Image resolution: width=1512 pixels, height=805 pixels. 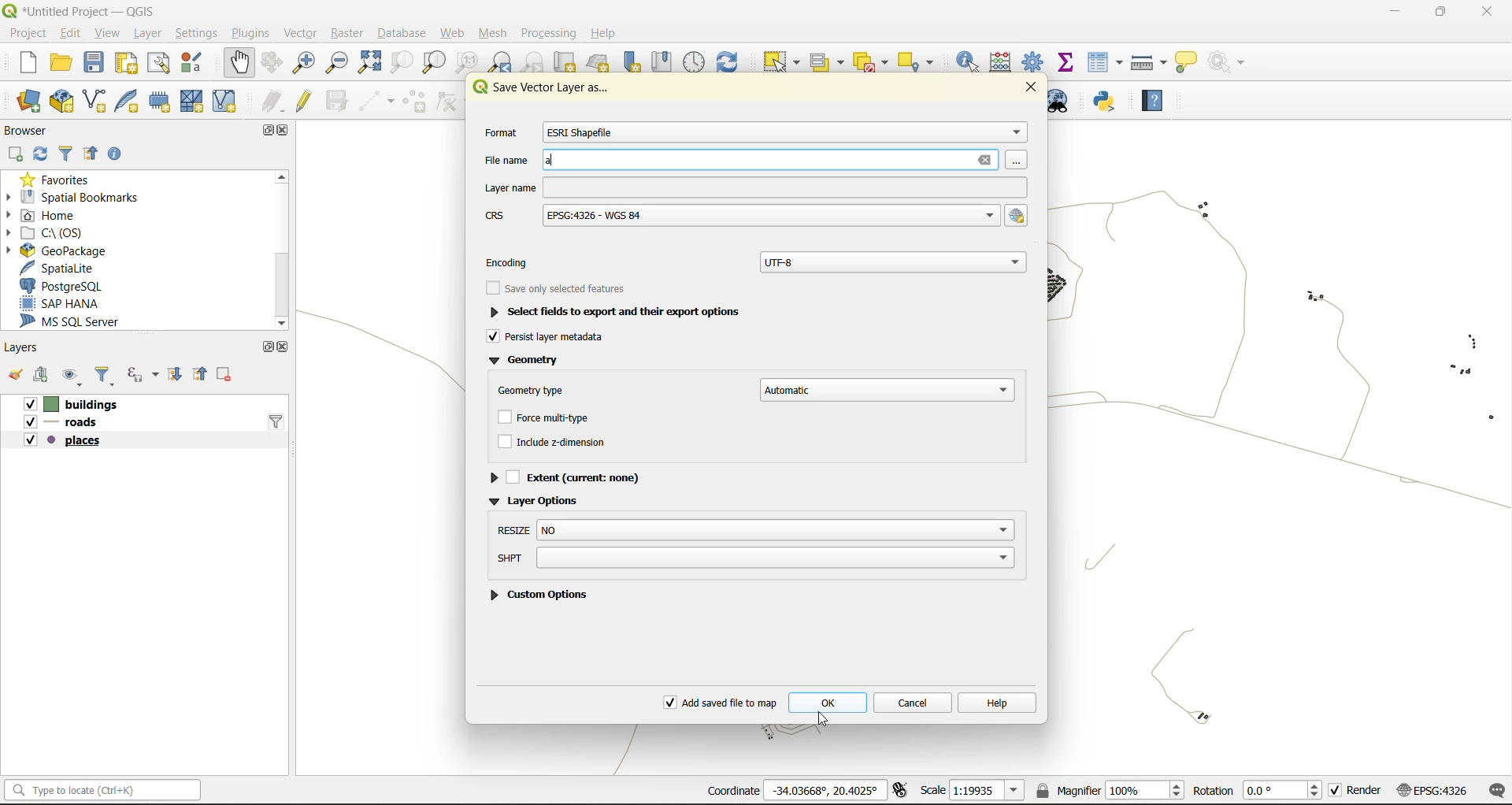 What do you see at coordinates (67, 287) in the screenshot?
I see `postgresql` at bounding box center [67, 287].